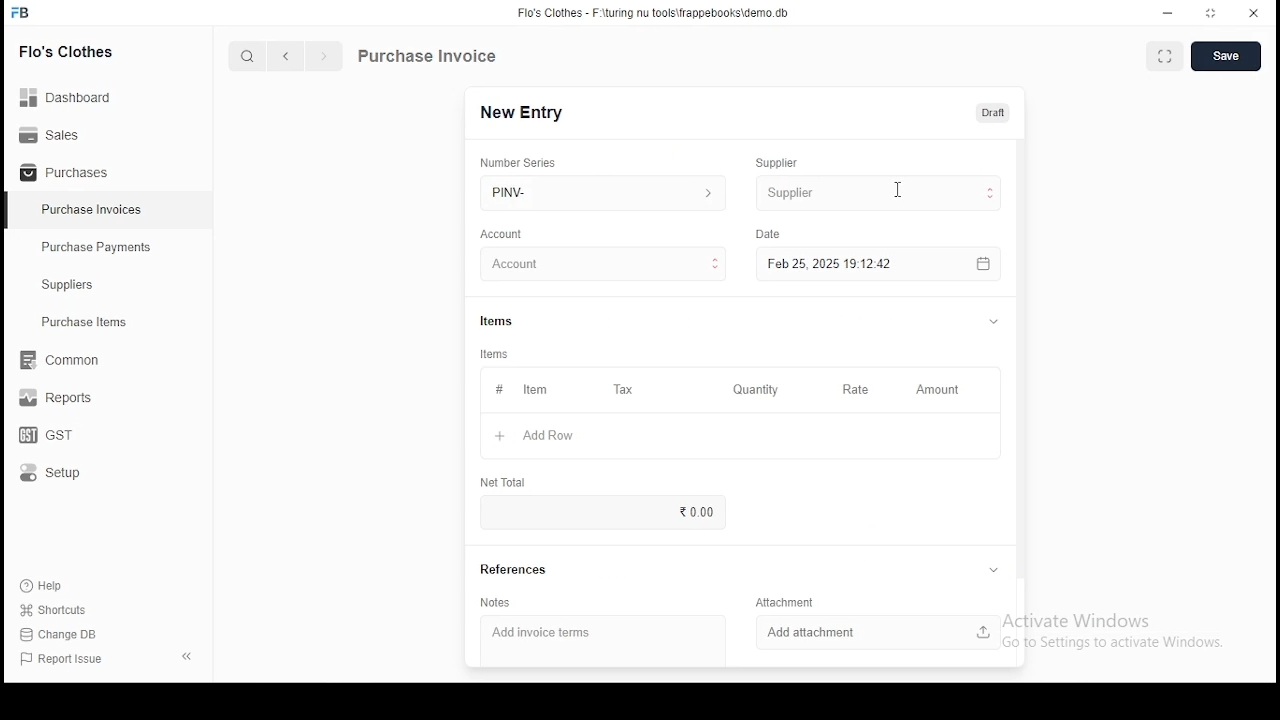 This screenshot has width=1280, height=720. What do you see at coordinates (936, 390) in the screenshot?
I see `amount` at bounding box center [936, 390].